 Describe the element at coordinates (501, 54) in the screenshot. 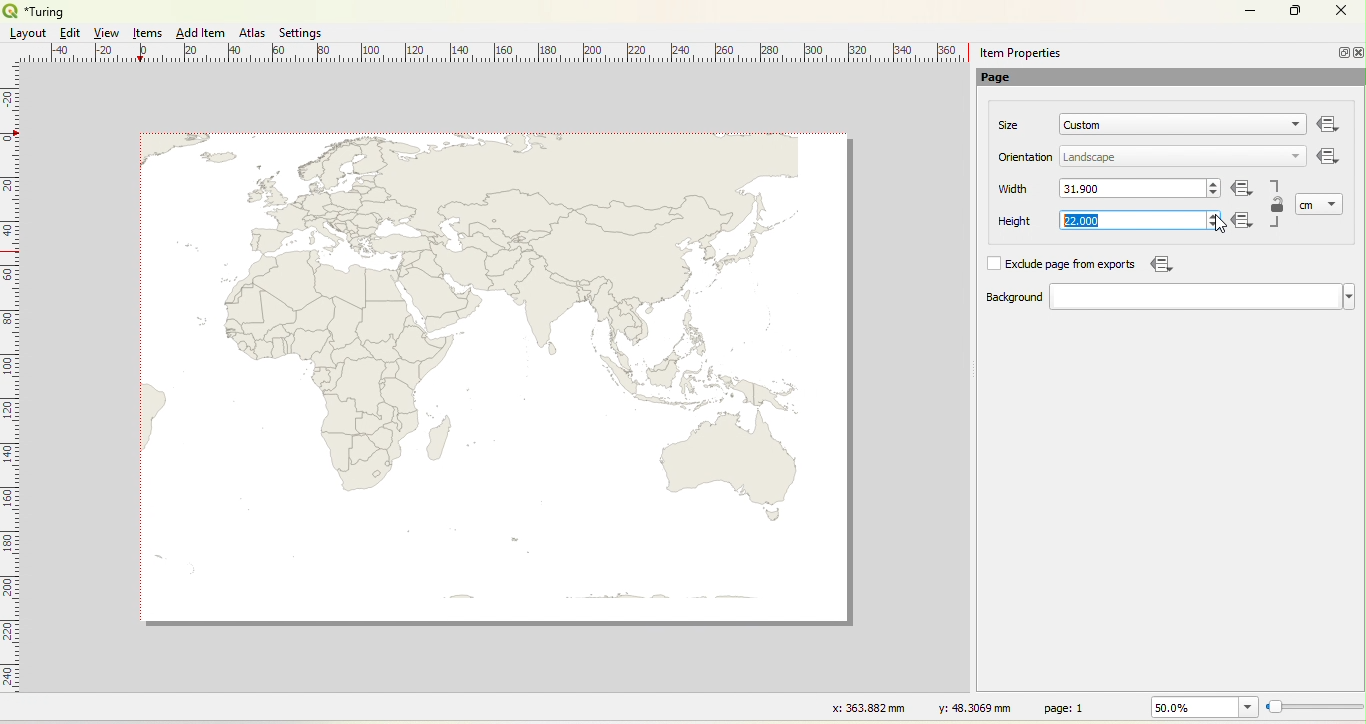

I see `Ruler` at that location.